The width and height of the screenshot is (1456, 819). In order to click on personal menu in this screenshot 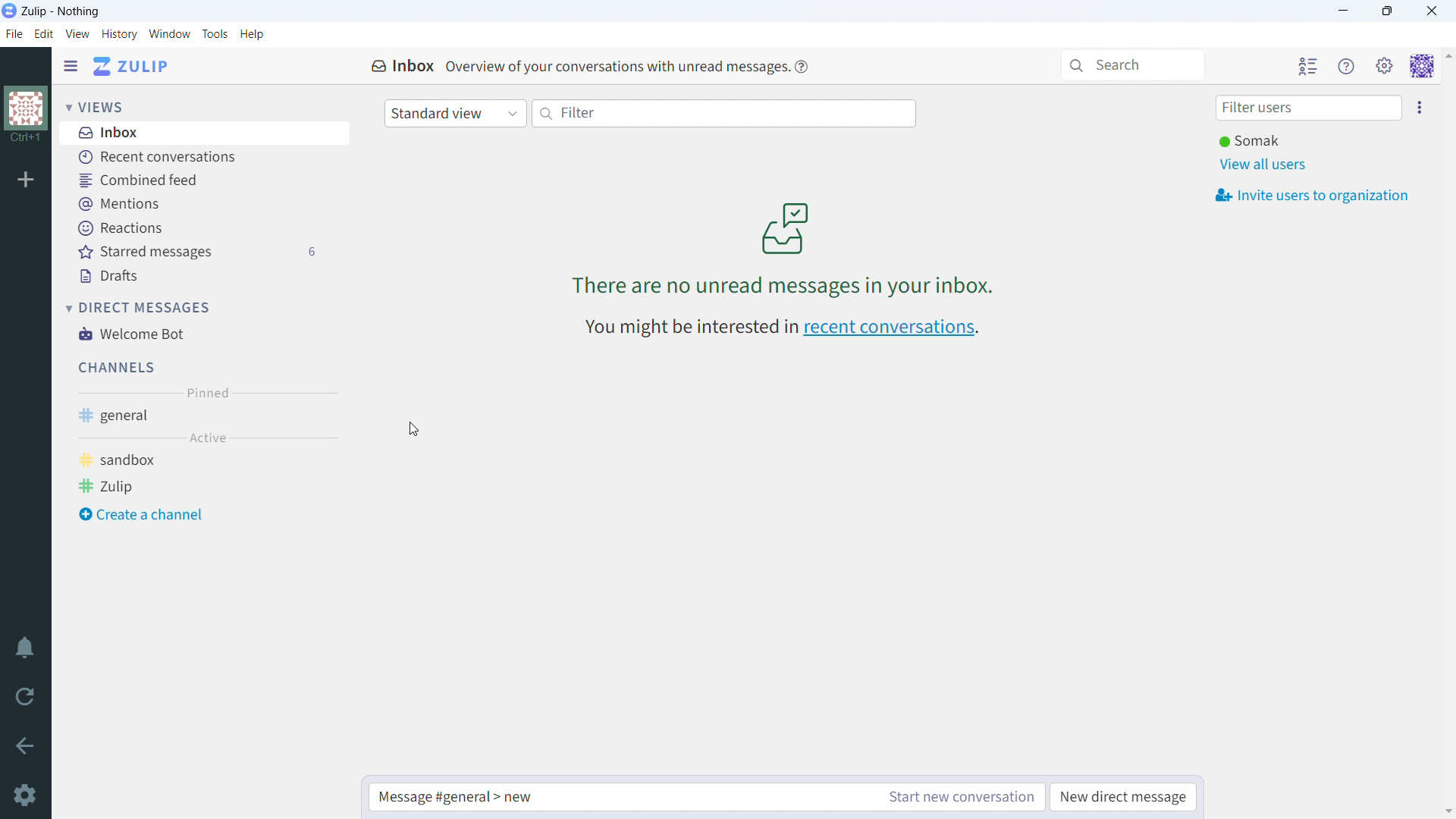, I will do `click(1422, 65)`.